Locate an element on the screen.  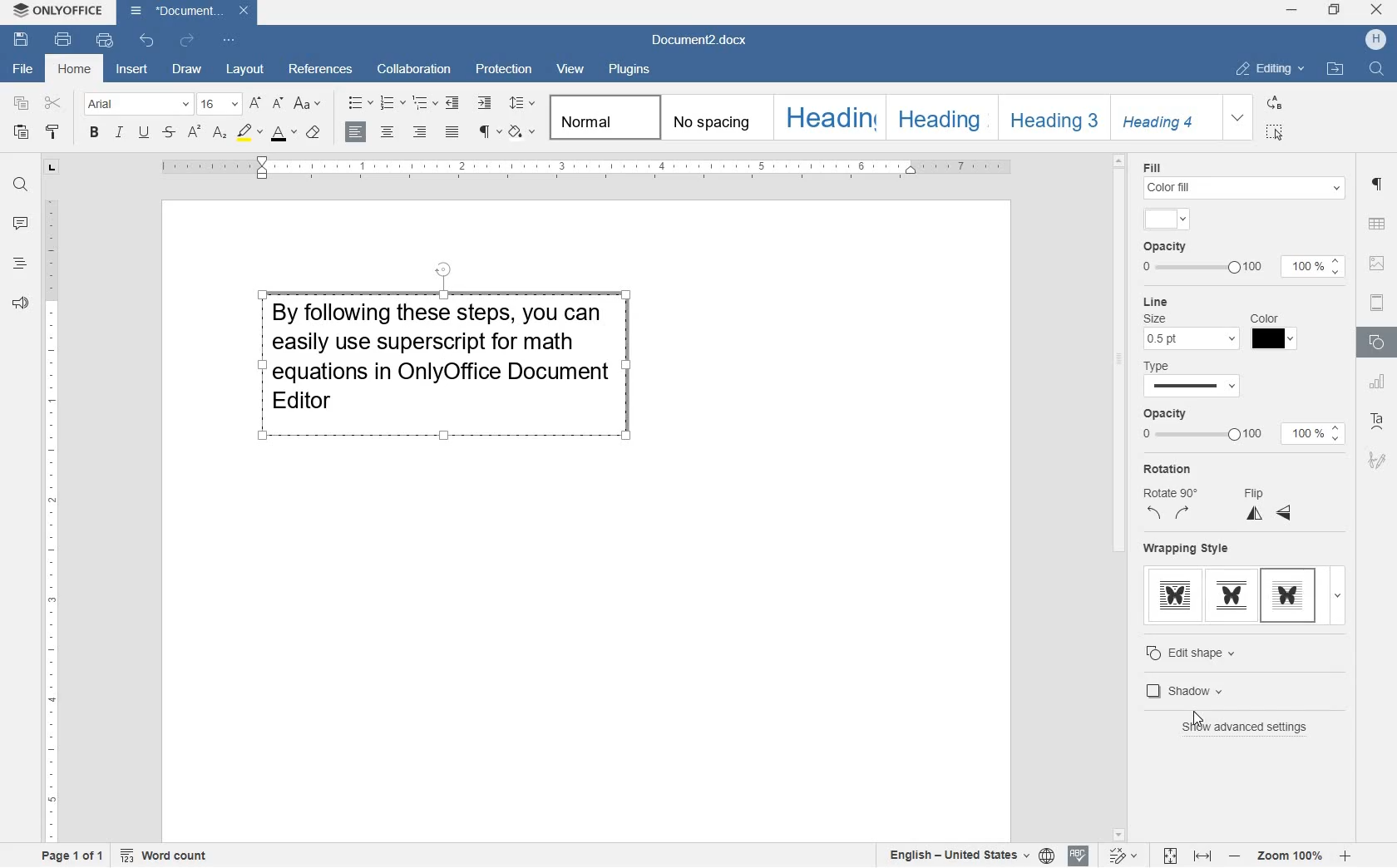
feedback & support is located at coordinates (18, 303).